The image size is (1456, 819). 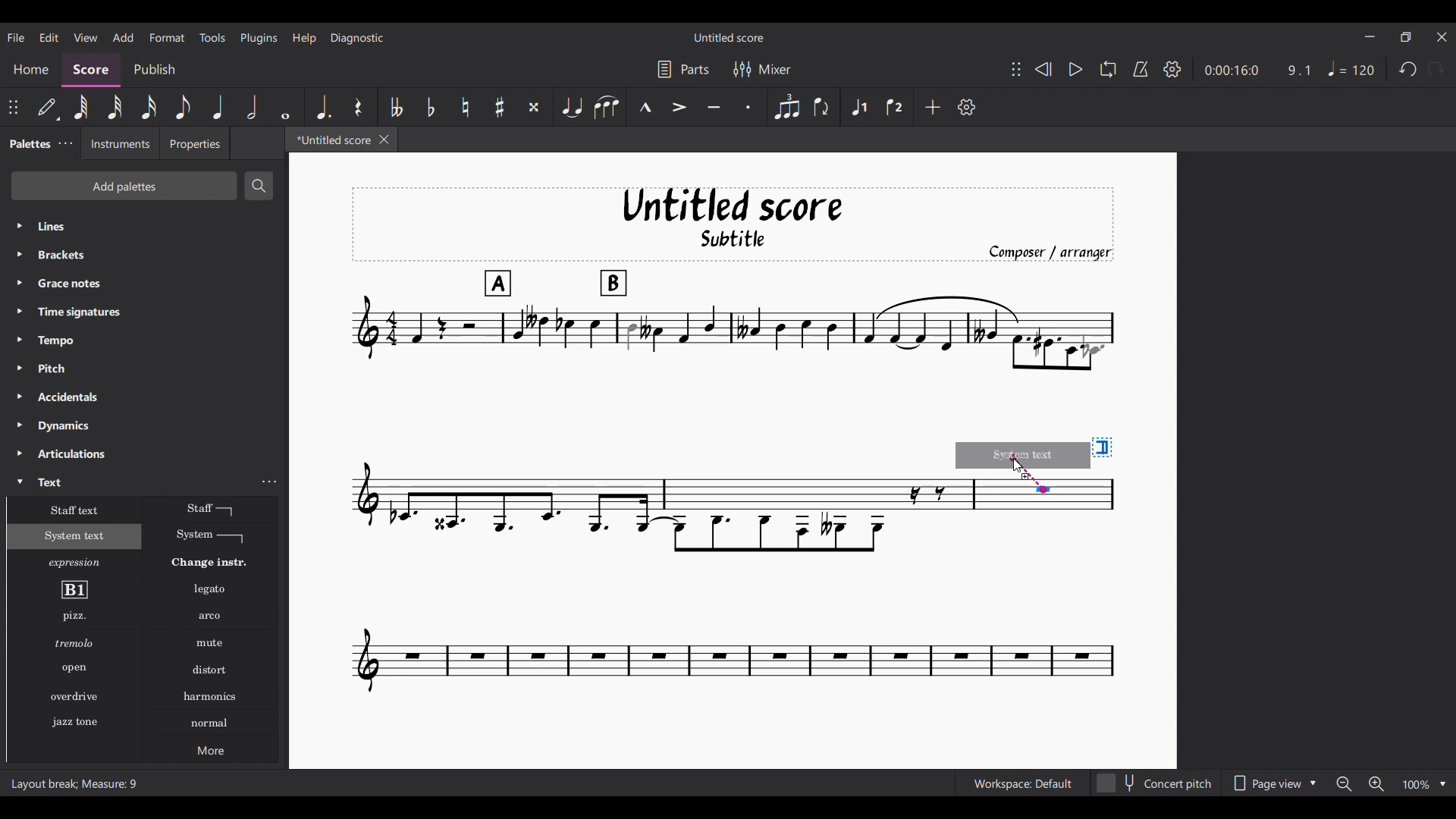 What do you see at coordinates (304, 38) in the screenshot?
I see `Help menu` at bounding box center [304, 38].